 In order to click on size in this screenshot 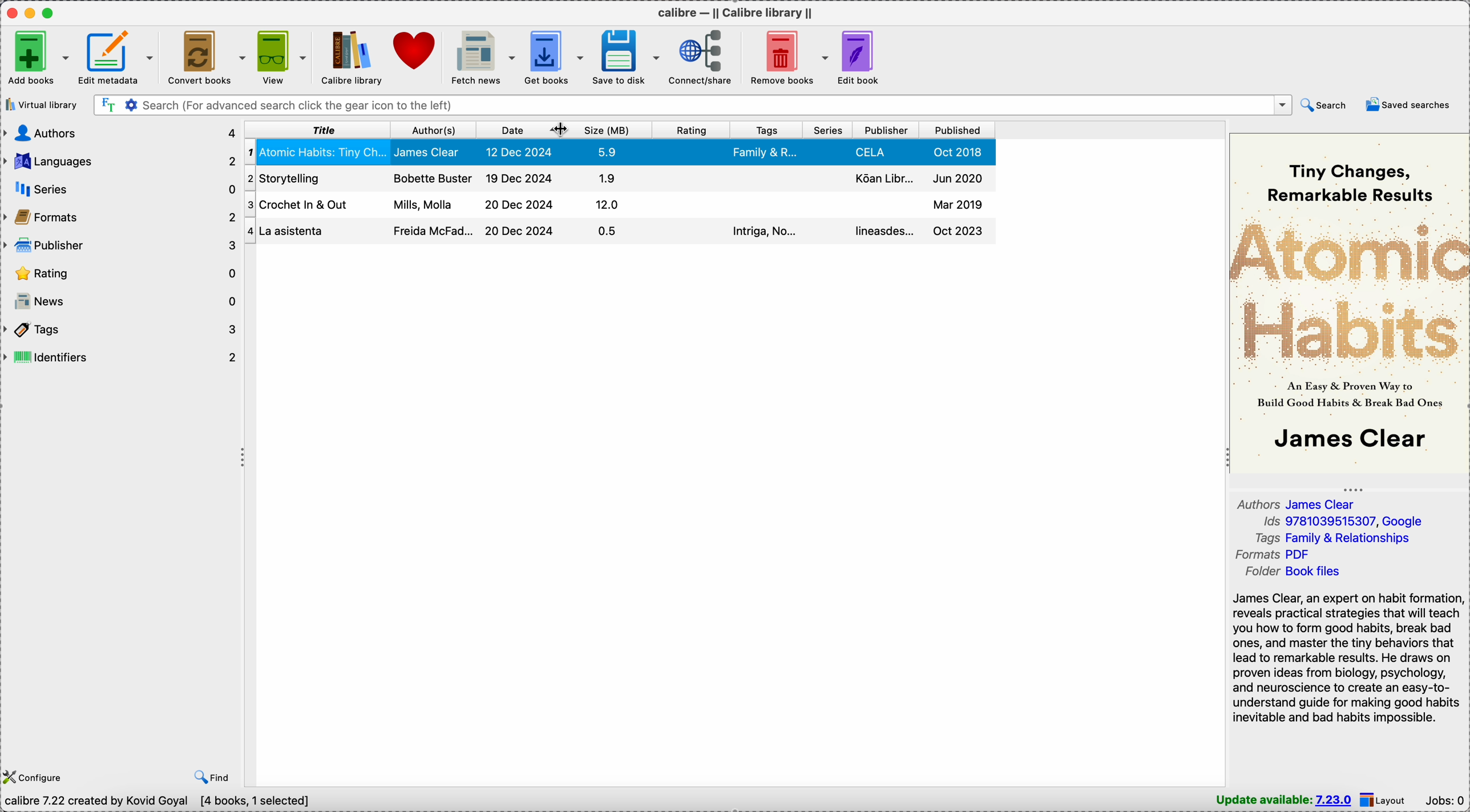, I will do `click(613, 130)`.